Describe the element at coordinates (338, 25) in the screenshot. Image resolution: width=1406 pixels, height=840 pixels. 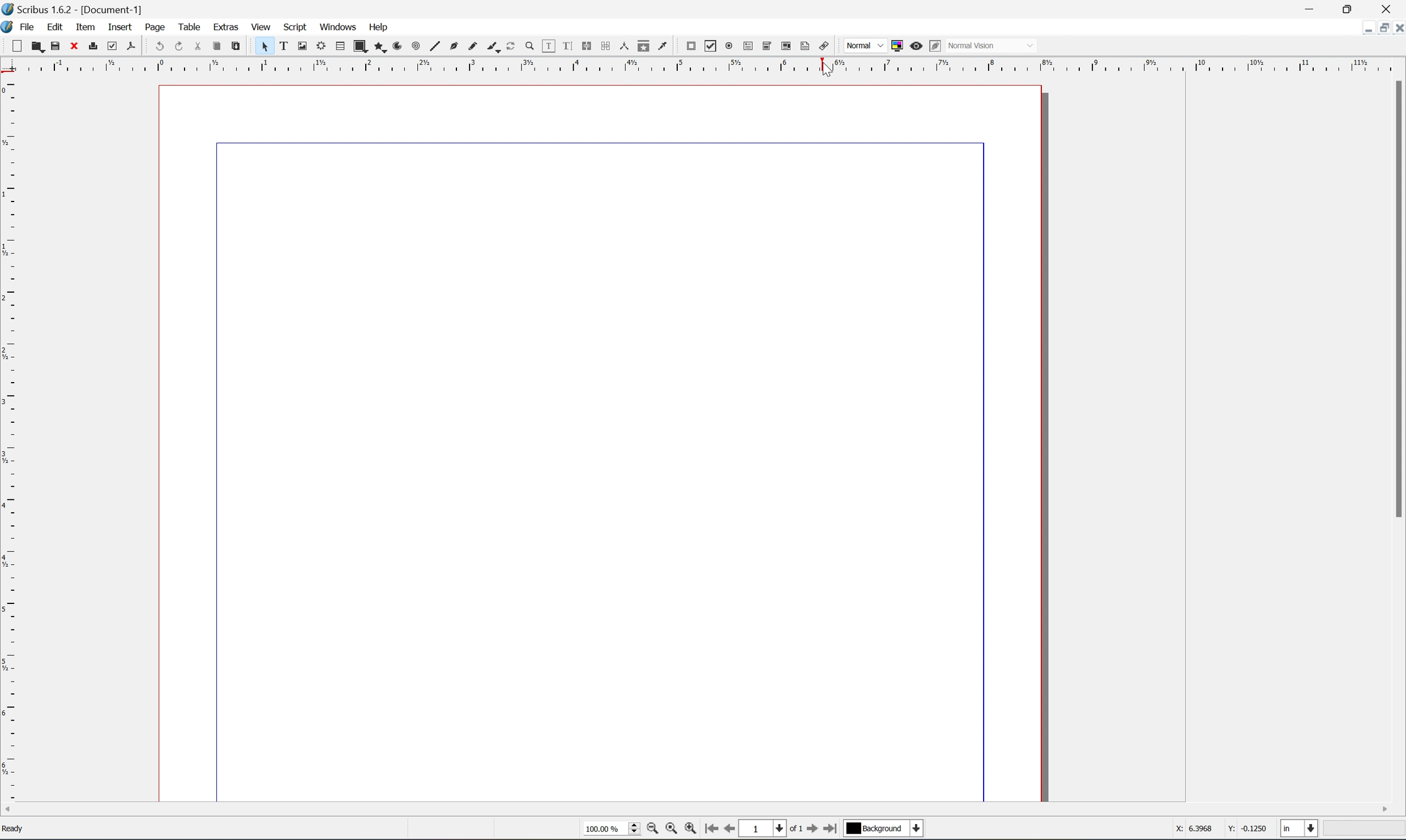
I see `windows` at that location.